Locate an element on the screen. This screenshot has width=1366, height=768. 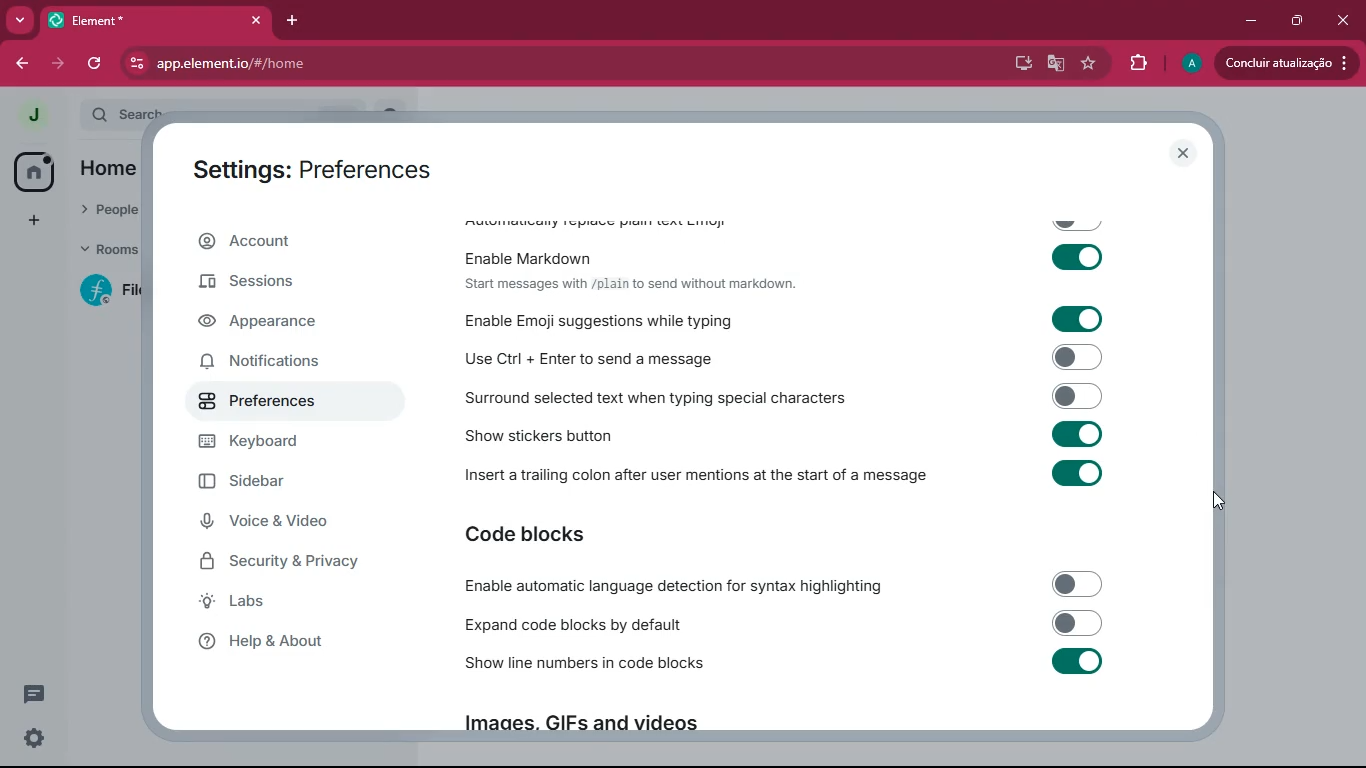
desktop is located at coordinates (1021, 64).